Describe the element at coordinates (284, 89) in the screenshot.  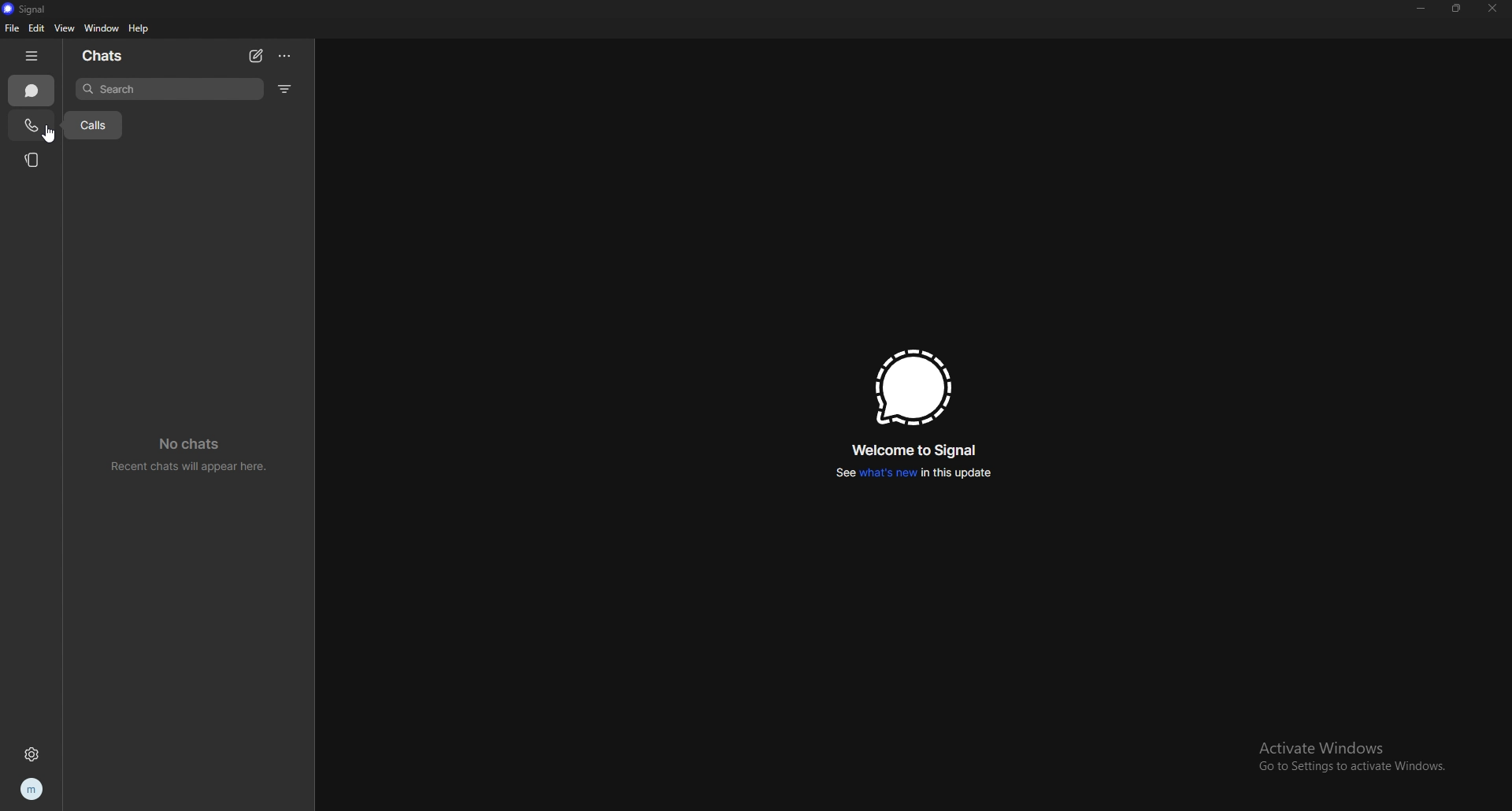
I see `filter` at that location.